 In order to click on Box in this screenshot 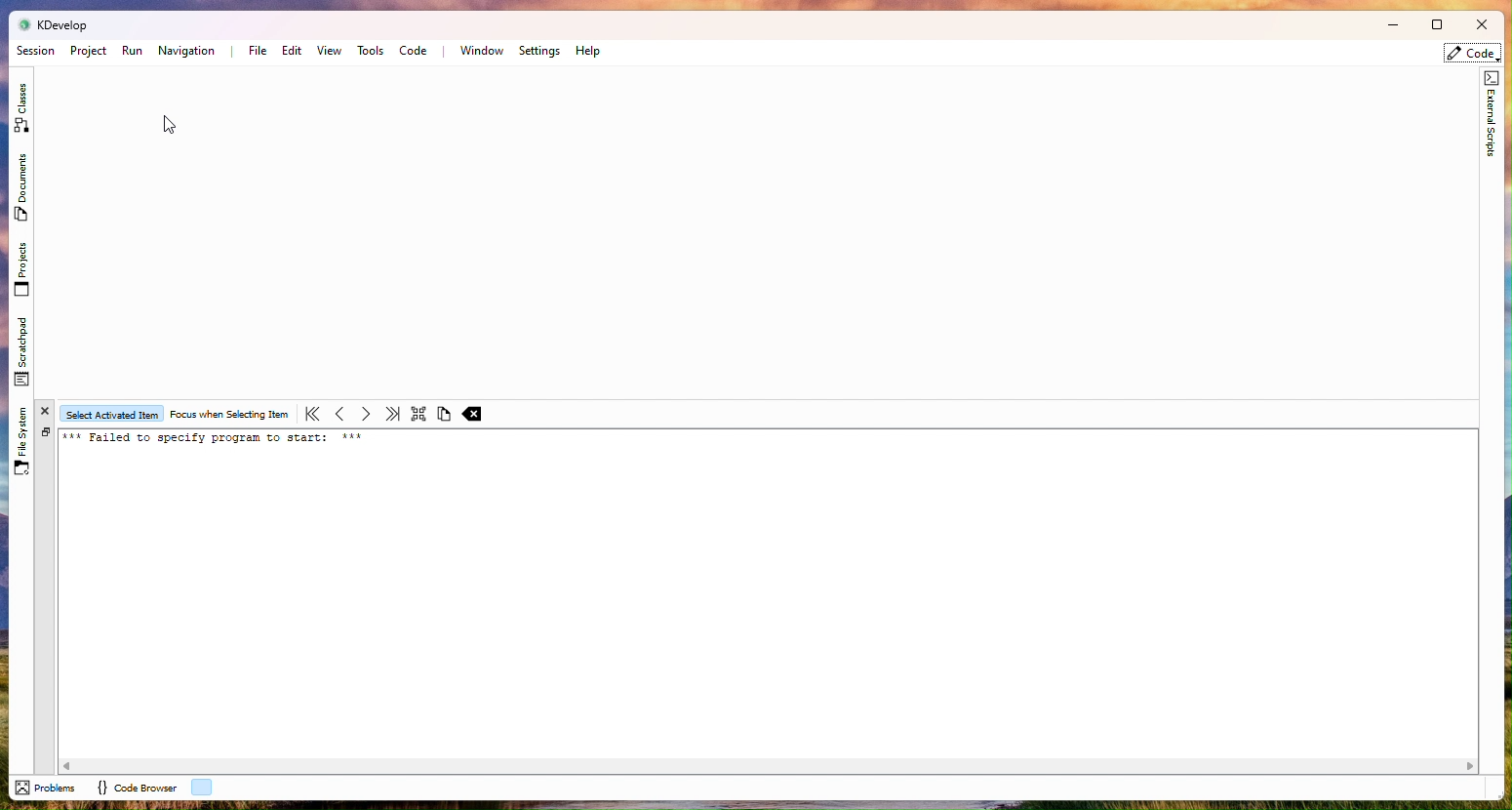, I will do `click(1435, 24)`.